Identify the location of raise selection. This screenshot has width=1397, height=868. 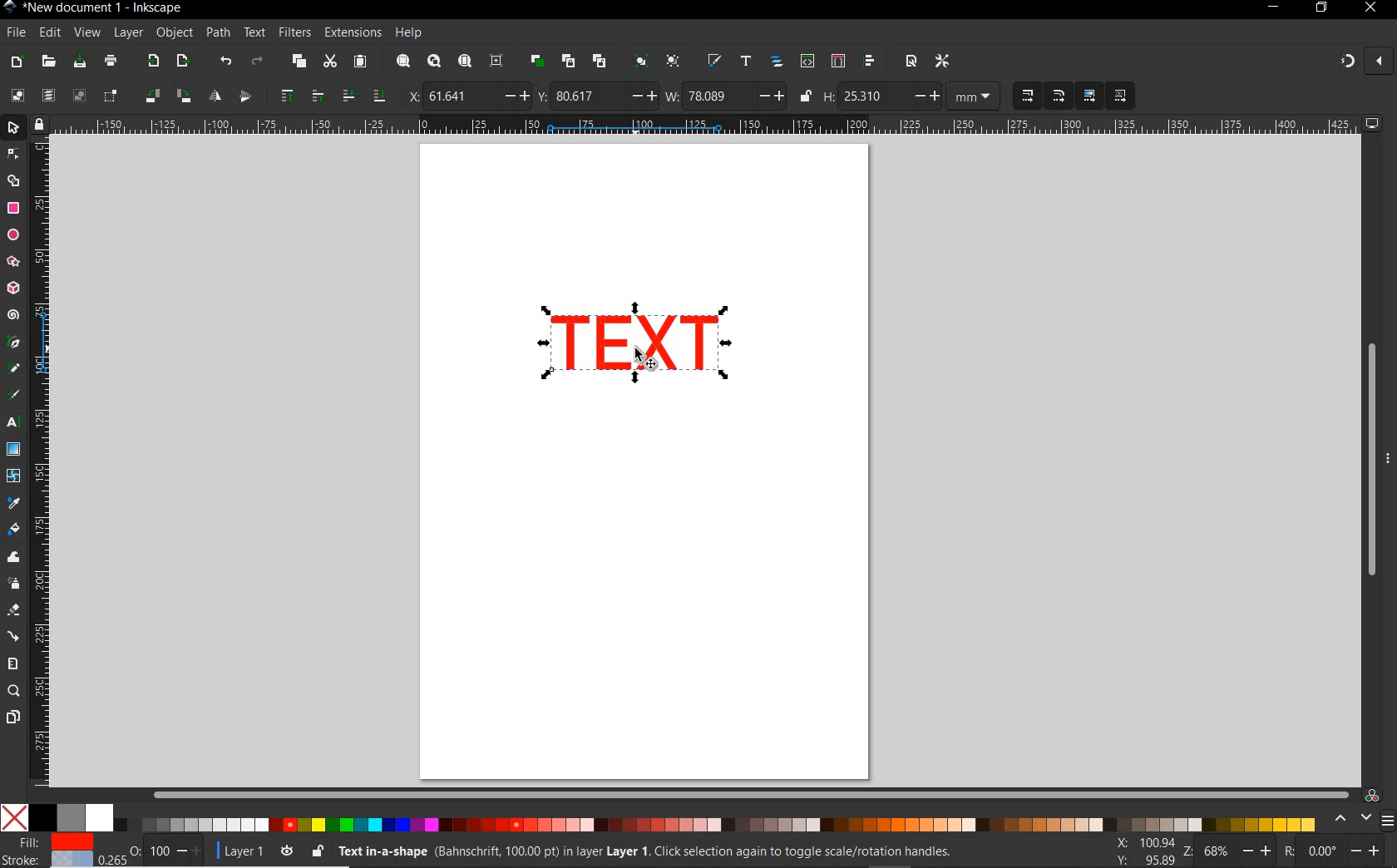
(299, 96).